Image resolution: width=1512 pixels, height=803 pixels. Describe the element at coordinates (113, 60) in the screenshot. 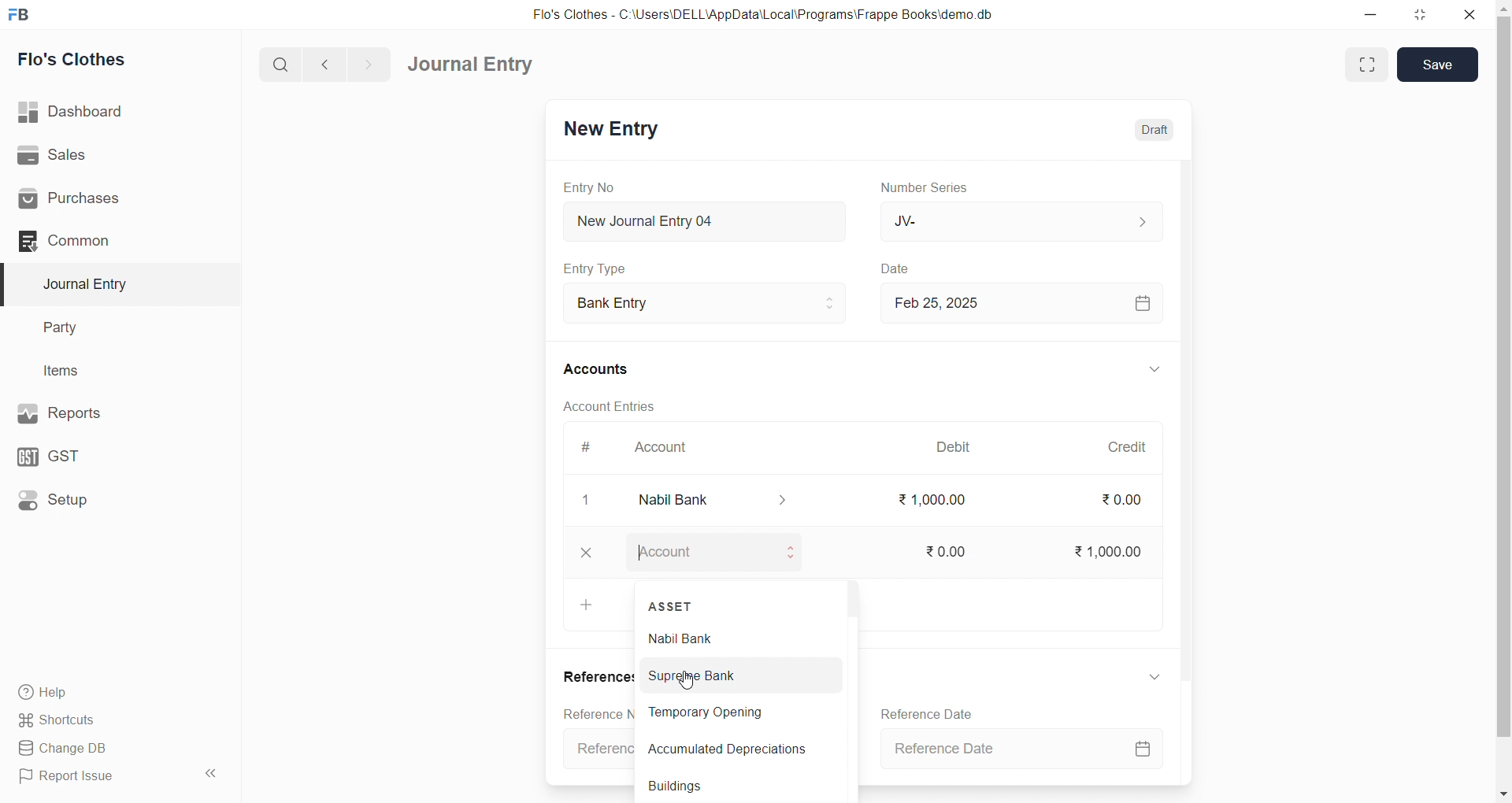

I see `Flo's Clothes` at that location.